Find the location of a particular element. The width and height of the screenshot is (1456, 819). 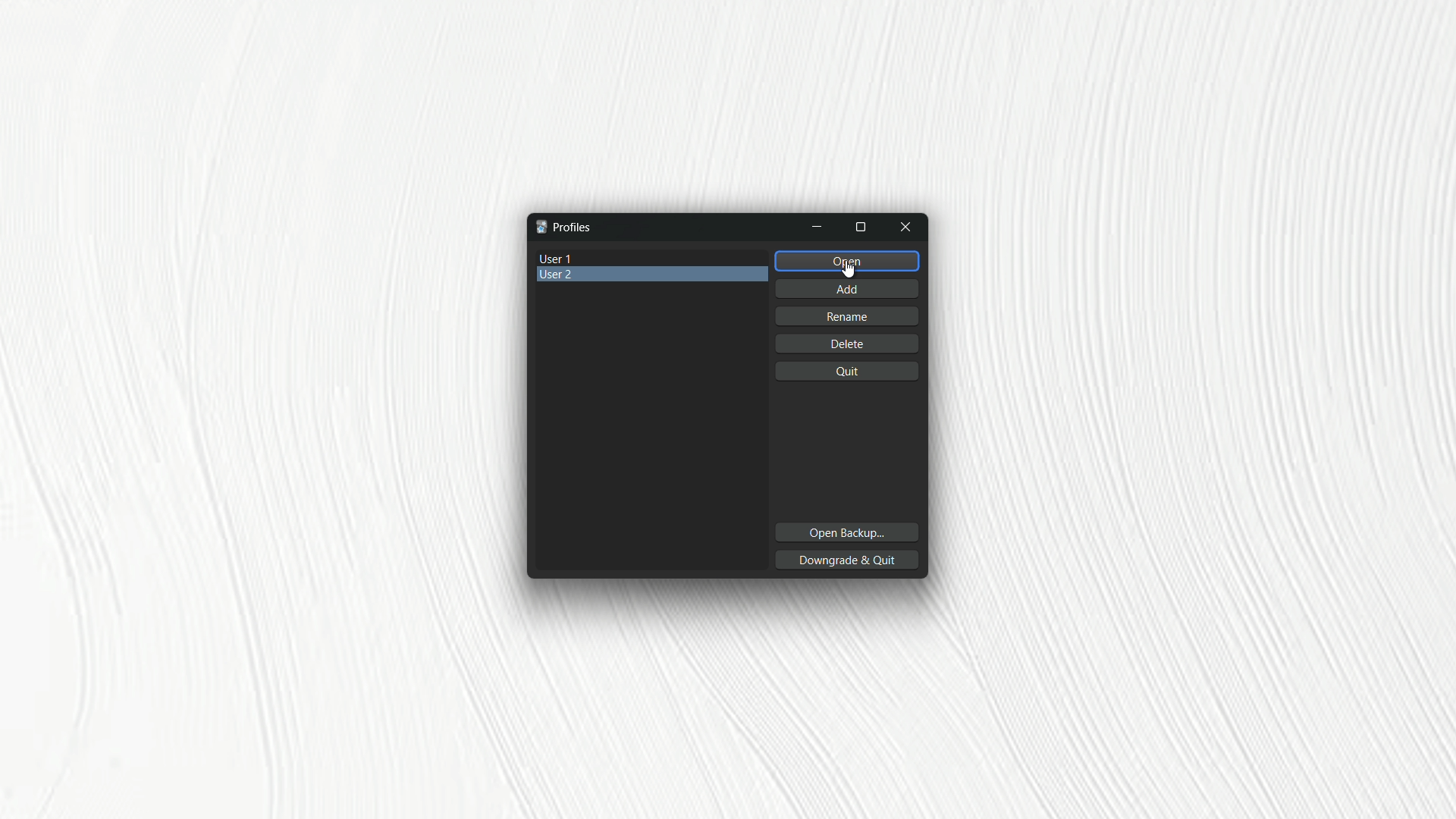

Open backup is located at coordinates (844, 533).